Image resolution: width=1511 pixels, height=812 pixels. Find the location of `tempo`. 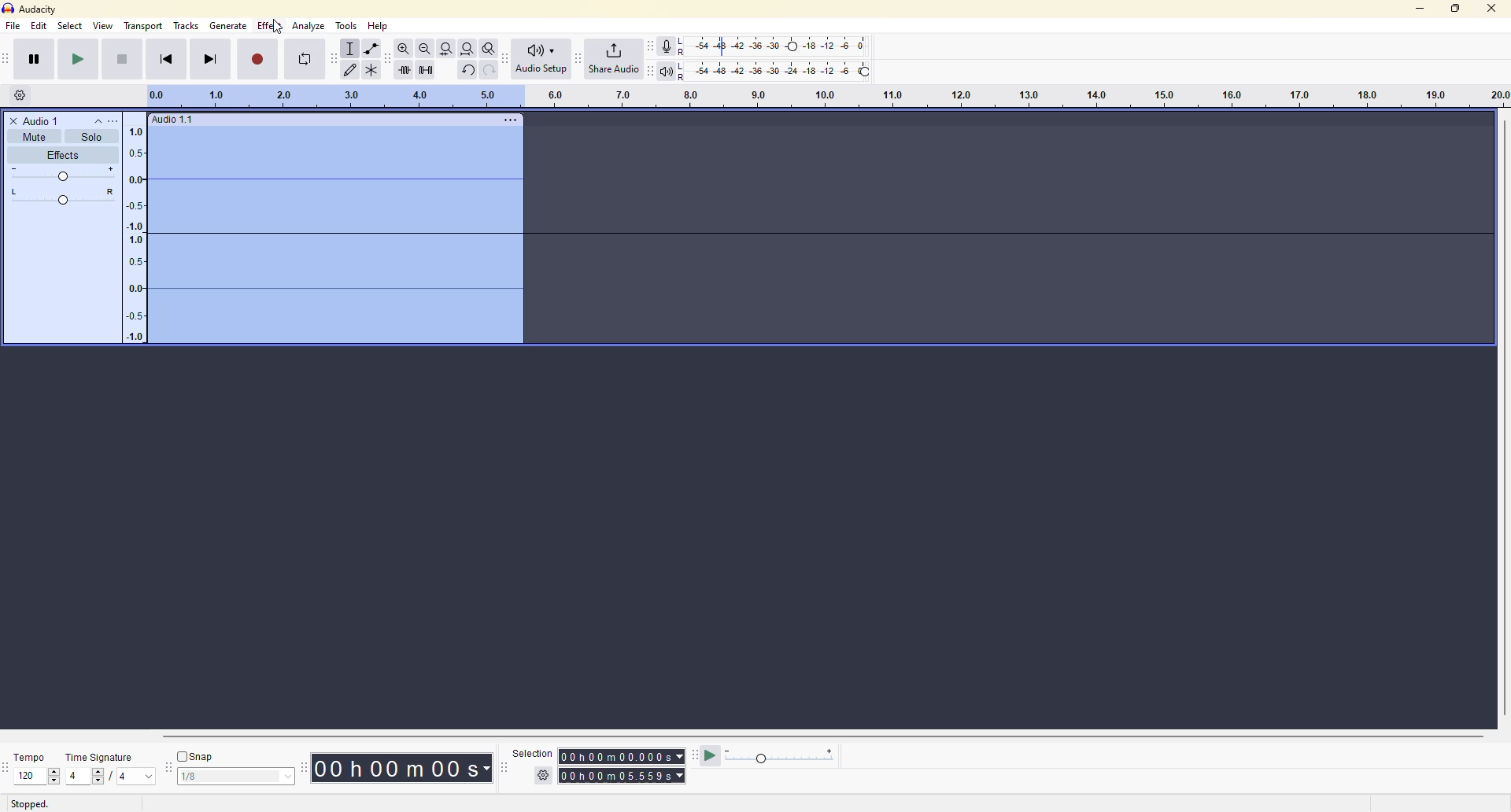

tempo is located at coordinates (33, 756).